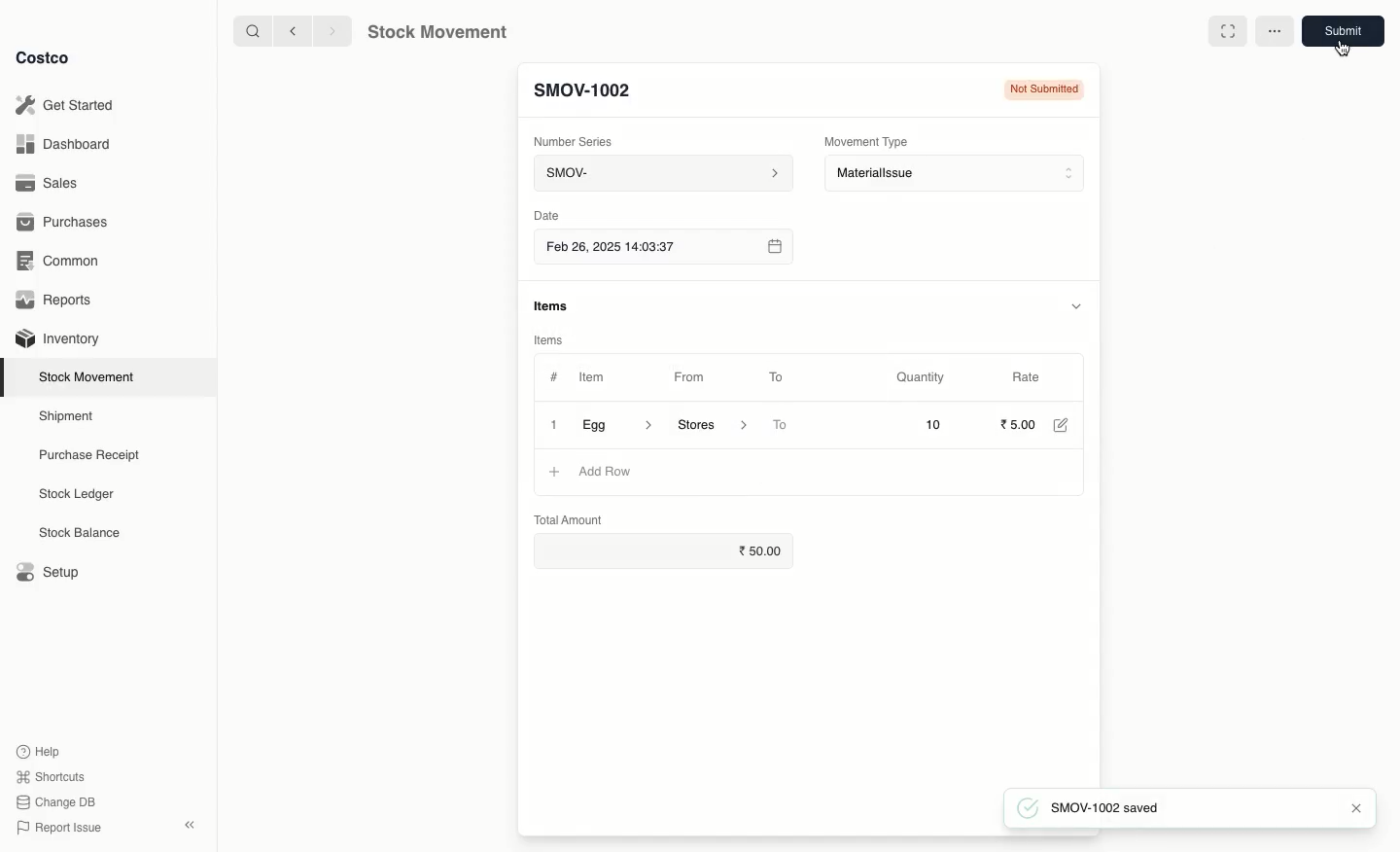  What do you see at coordinates (1347, 30) in the screenshot?
I see `save` at bounding box center [1347, 30].